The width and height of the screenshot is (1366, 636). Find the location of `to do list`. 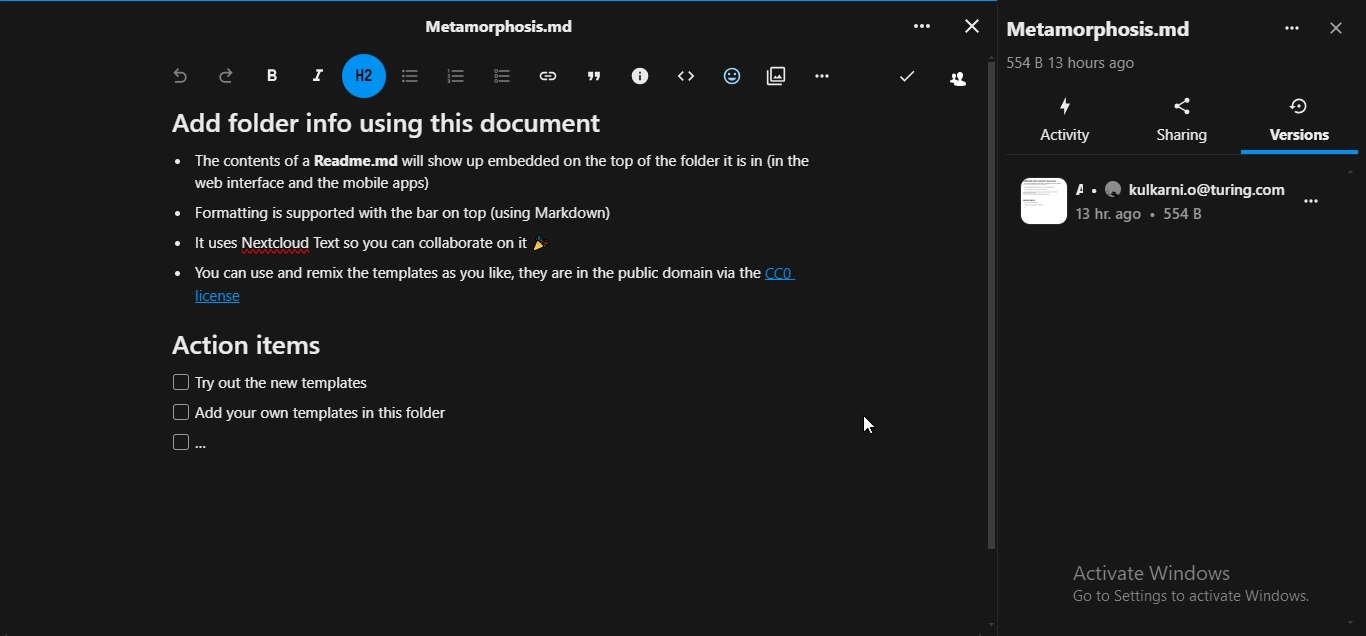

to do list is located at coordinates (494, 74).